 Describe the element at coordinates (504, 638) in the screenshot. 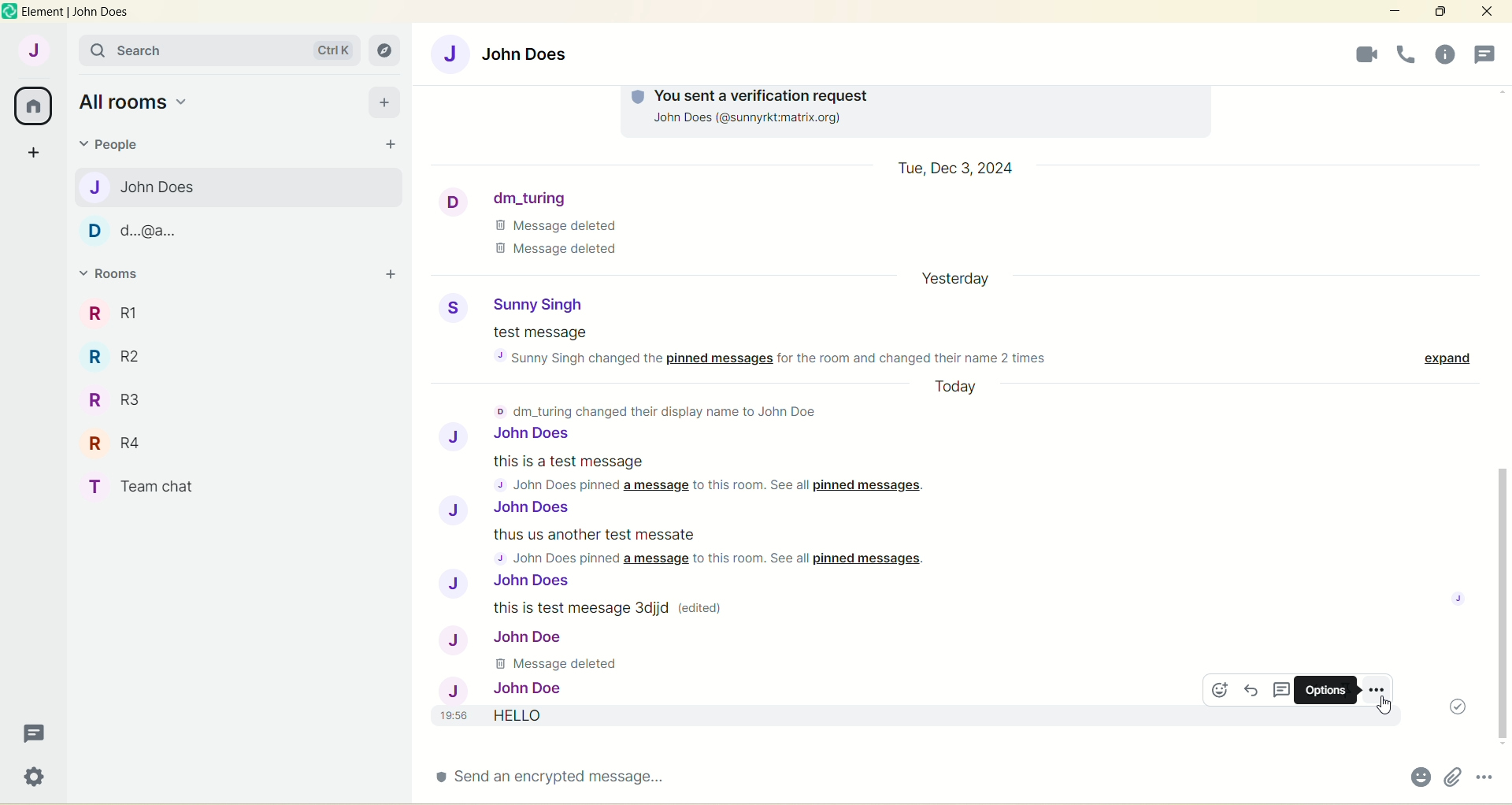

I see `John Doe` at that location.